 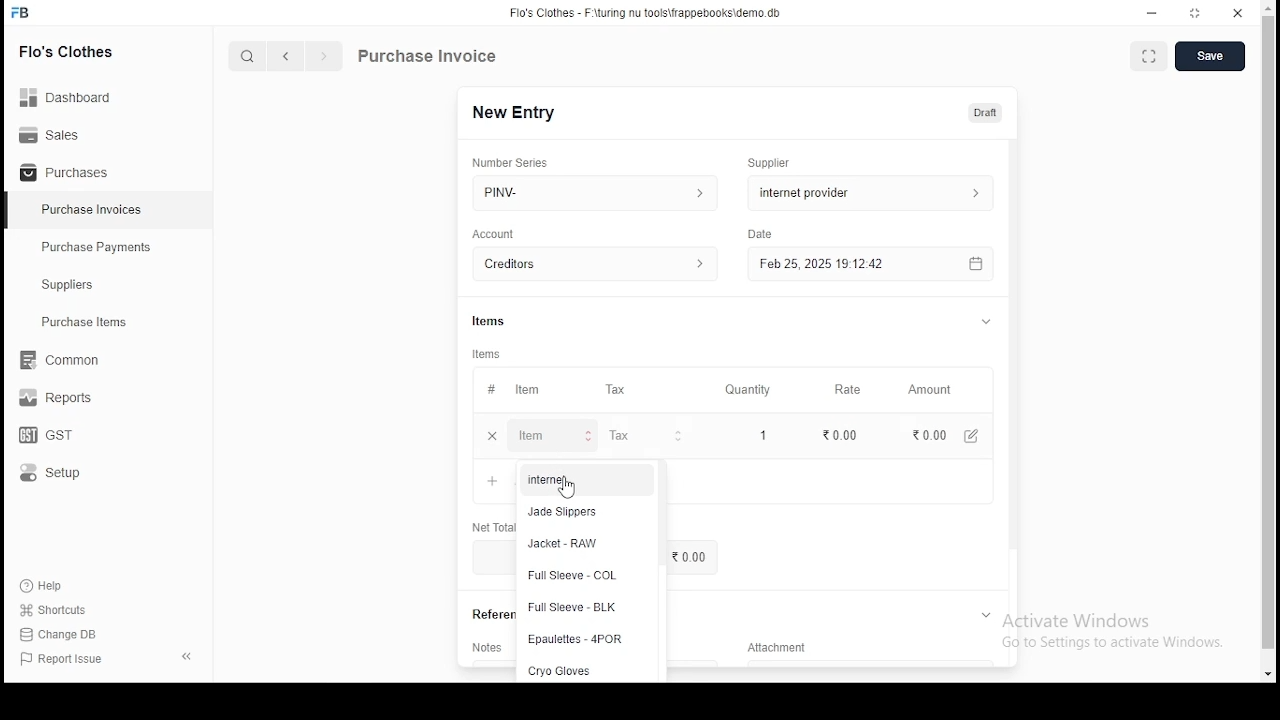 What do you see at coordinates (486, 647) in the screenshot?
I see `notes` at bounding box center [486, 647].